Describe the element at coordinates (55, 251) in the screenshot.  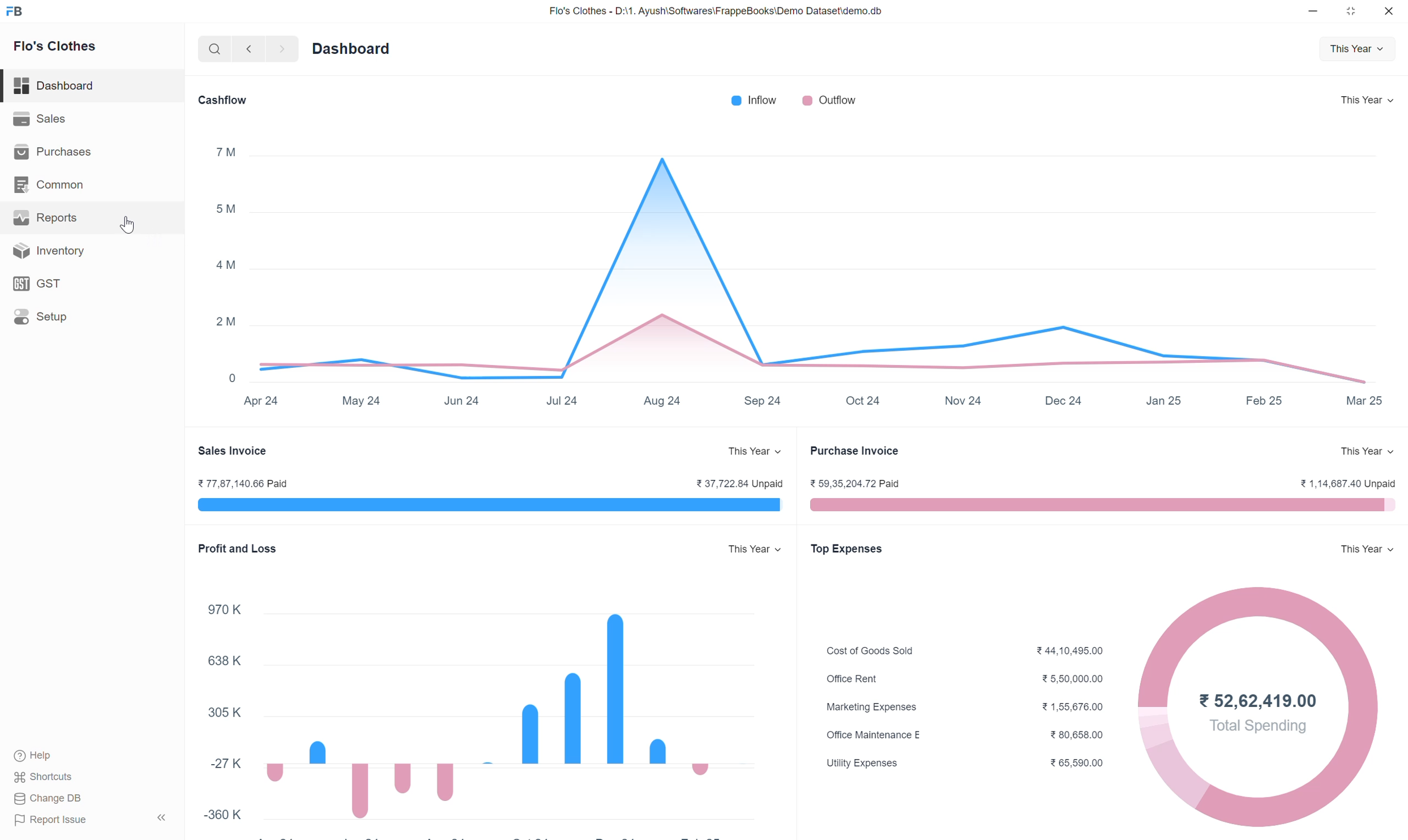
I see `Inventory` at that location.